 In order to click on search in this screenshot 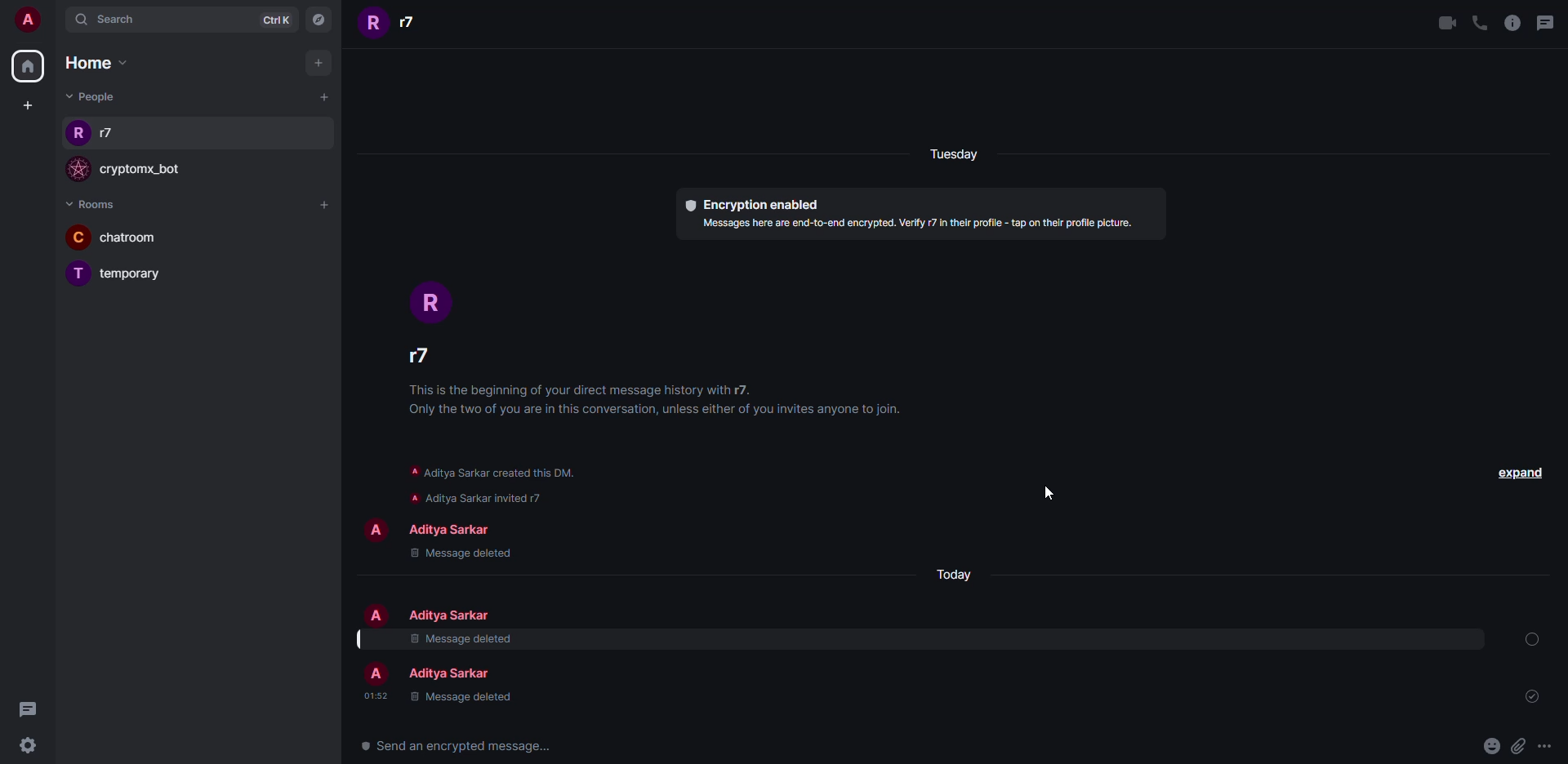, I will do `click(114, 19)`.